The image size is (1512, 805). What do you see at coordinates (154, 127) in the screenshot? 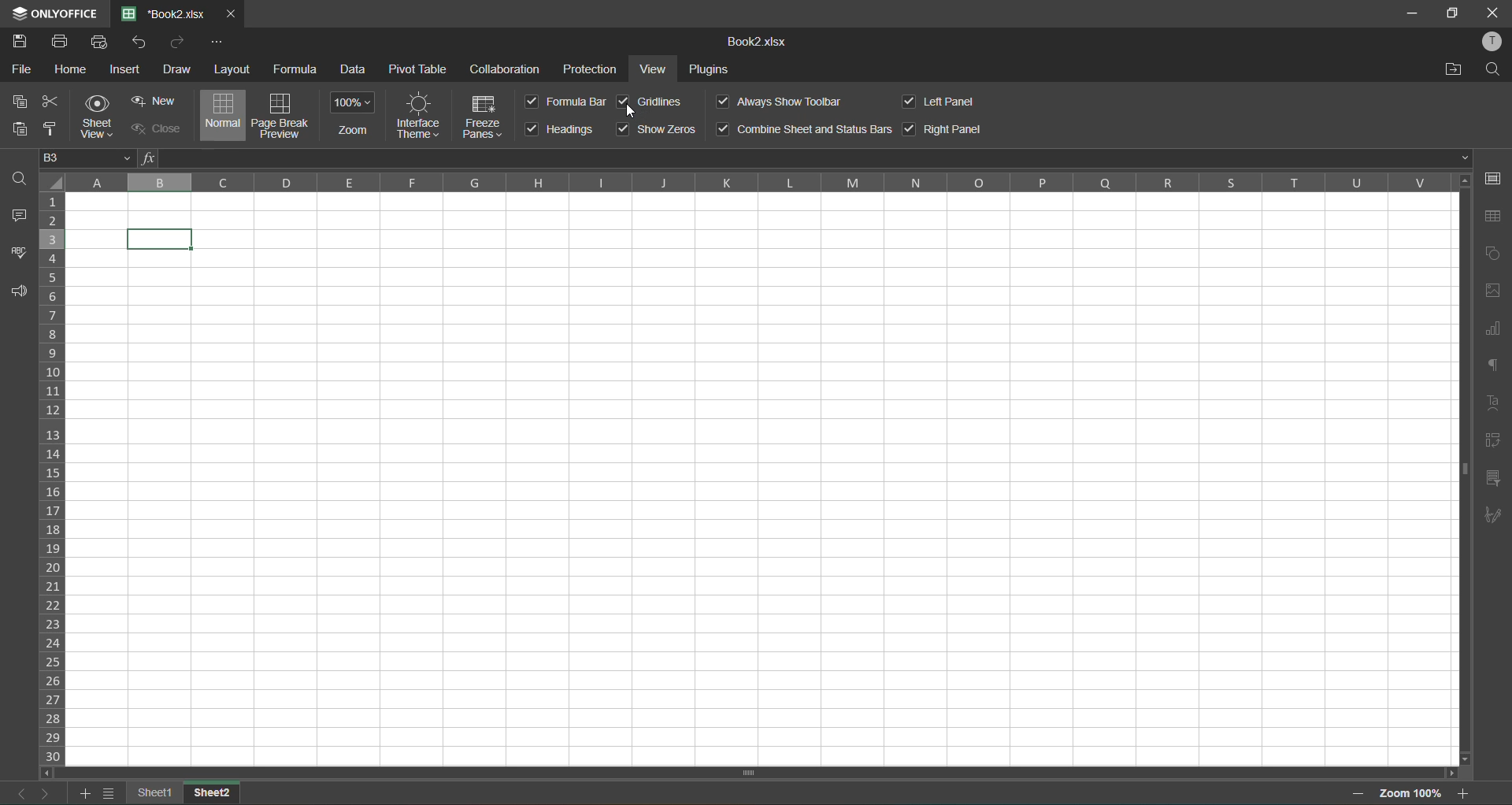
I see `close` at bounding box center [154, 127].